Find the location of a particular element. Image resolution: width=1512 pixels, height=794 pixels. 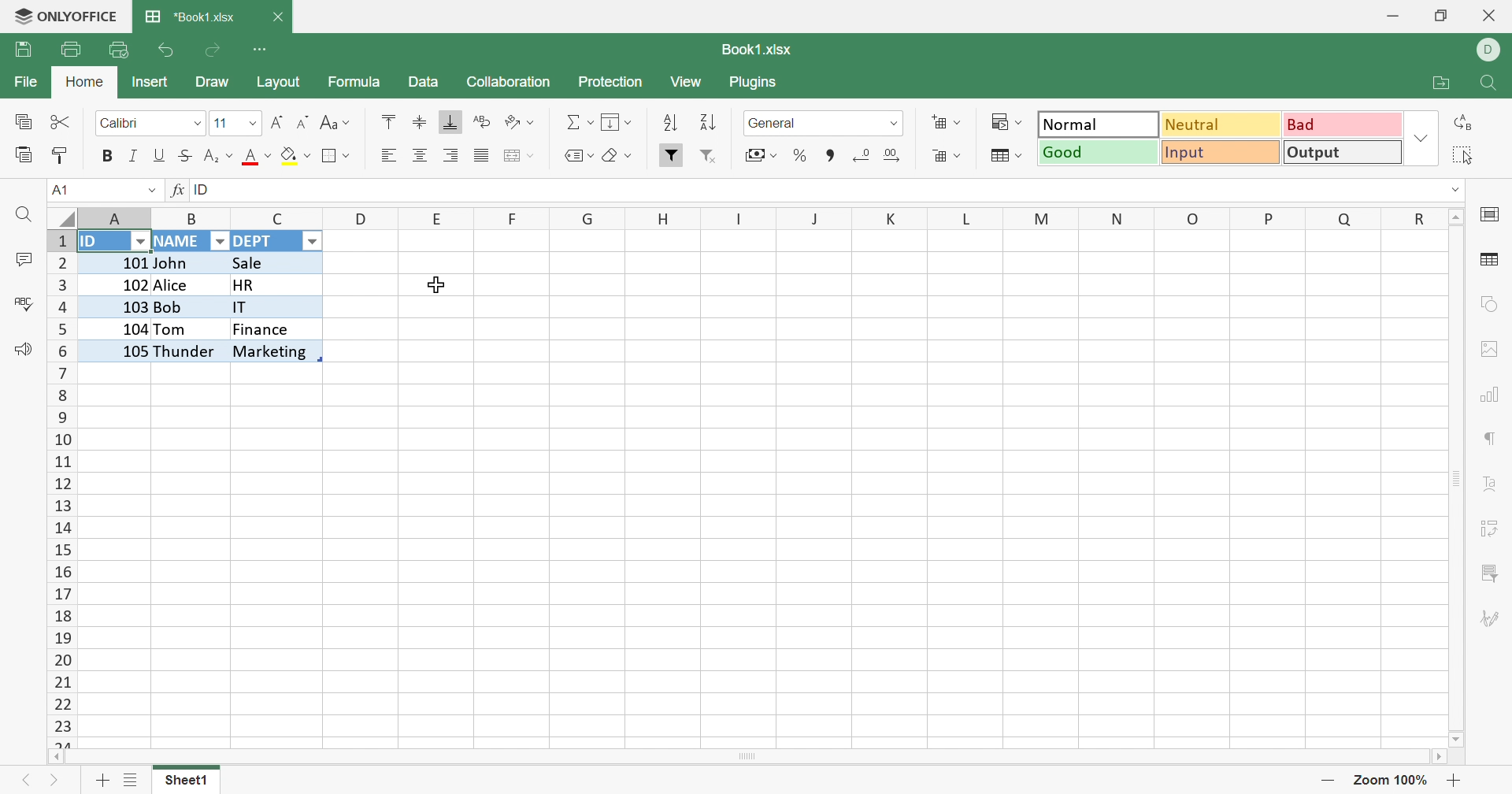

Justified is located at coordinates (483, 155).